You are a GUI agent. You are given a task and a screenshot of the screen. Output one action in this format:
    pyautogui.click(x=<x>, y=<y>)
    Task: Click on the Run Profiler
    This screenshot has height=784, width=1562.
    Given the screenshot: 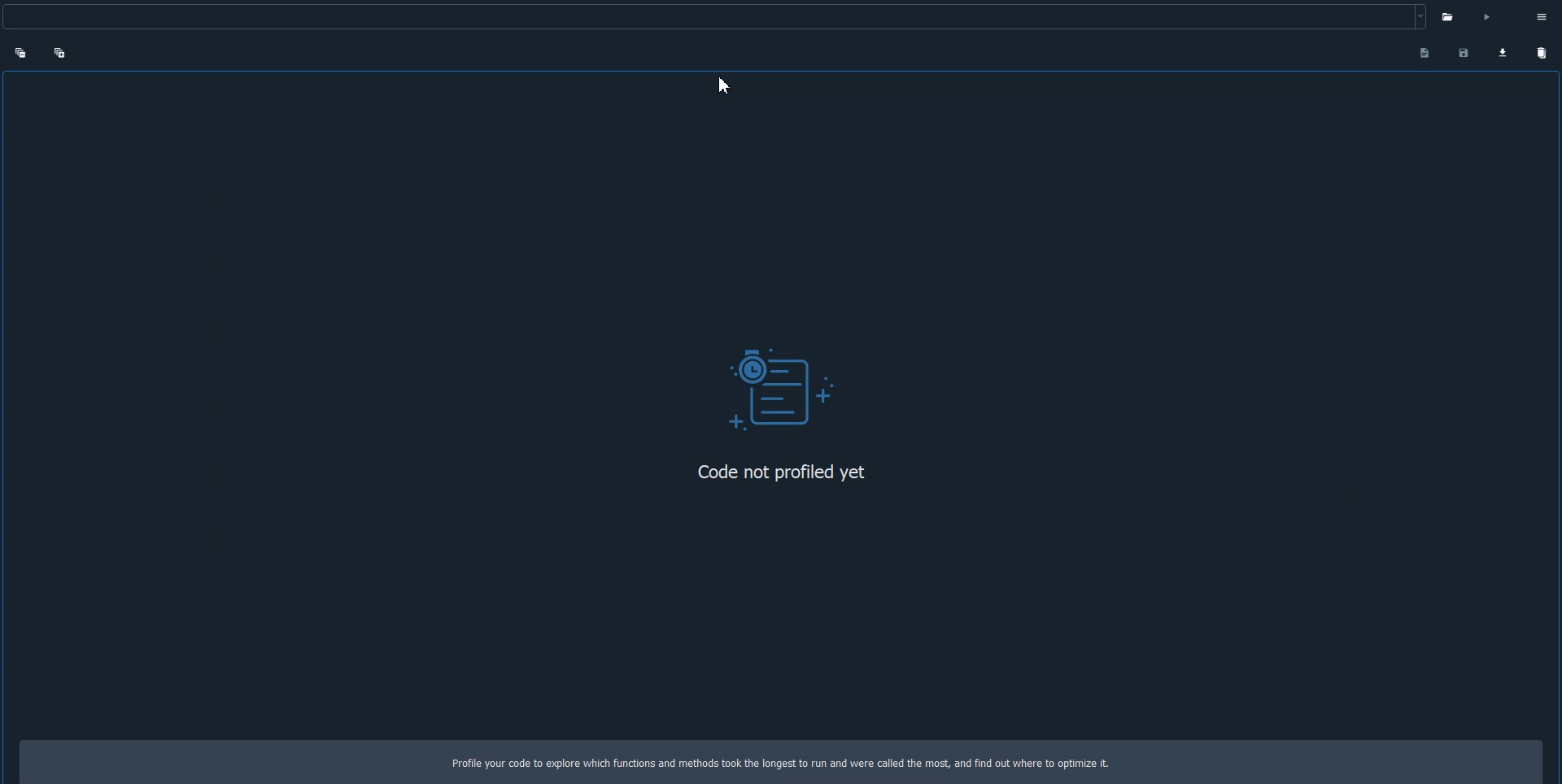 What is the action you would take?
    pyautogui.click(x=1453, y=15)
    